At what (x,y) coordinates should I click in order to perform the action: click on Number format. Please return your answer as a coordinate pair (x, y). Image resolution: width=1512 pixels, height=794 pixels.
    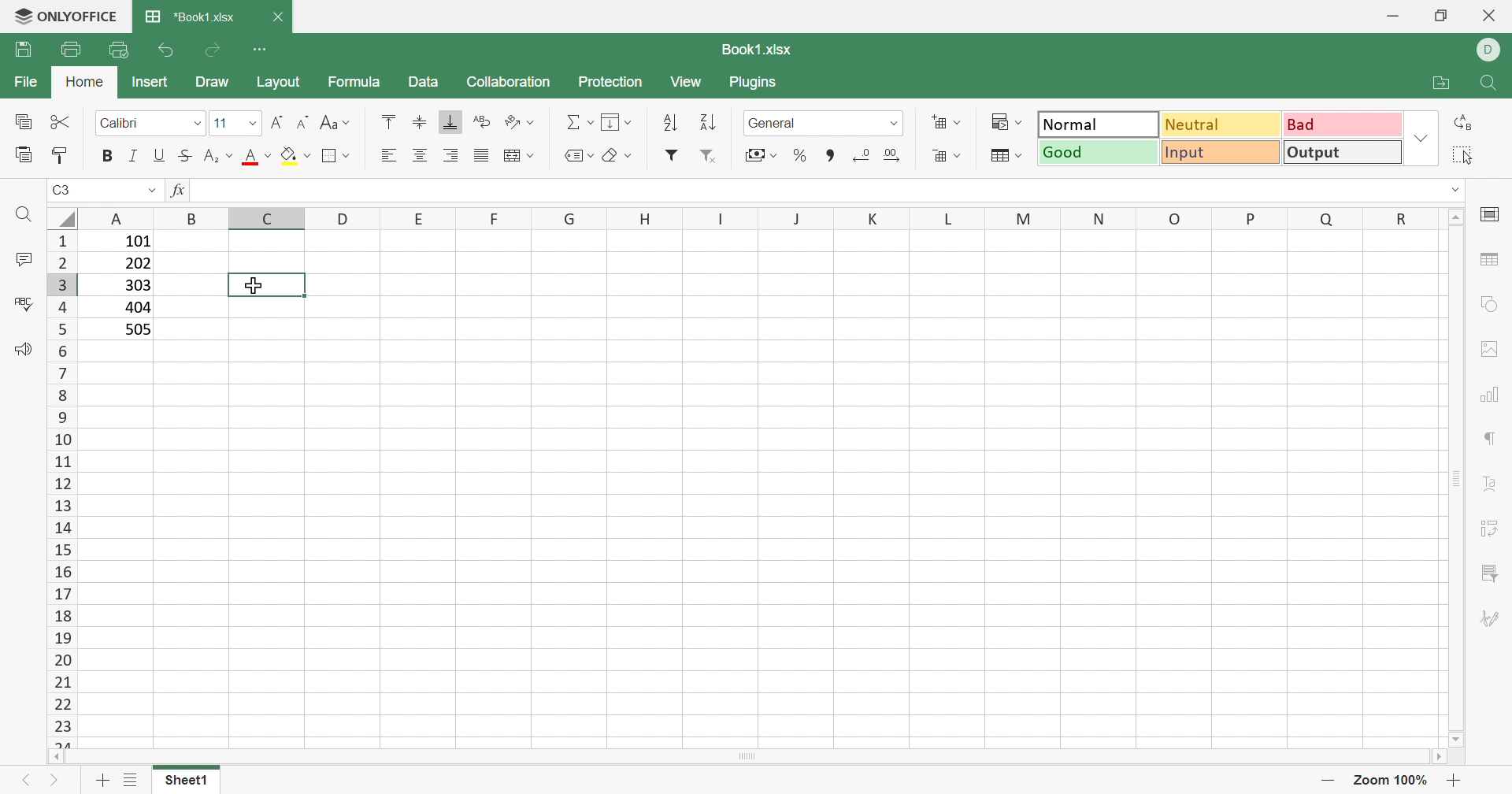
    Looking at the image, I should click on (790, 123).